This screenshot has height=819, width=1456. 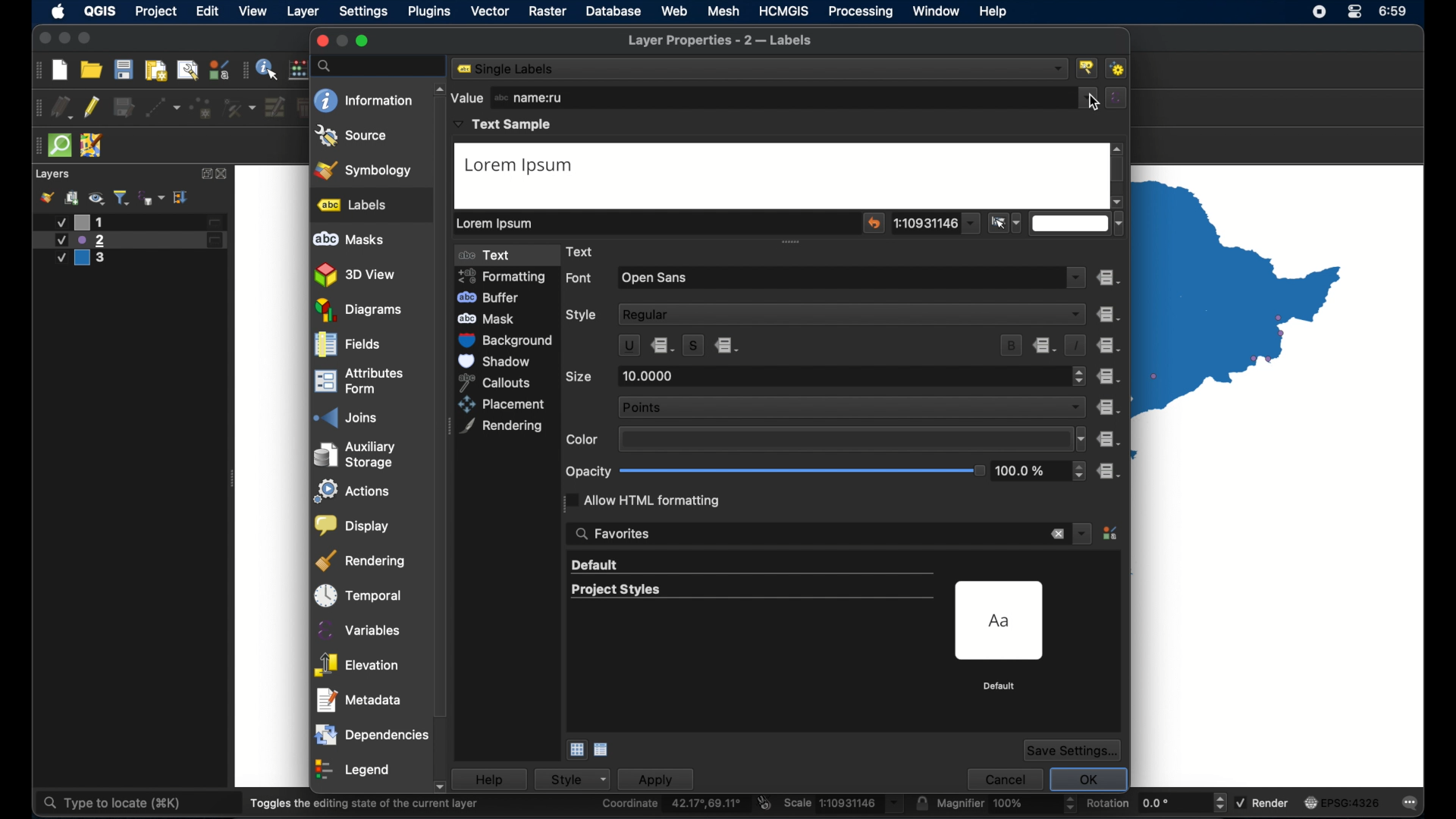 What do you see at coordinates (784, 11) in the screenshot?
I see `HCMGIS` at bounding box center [784, 11].